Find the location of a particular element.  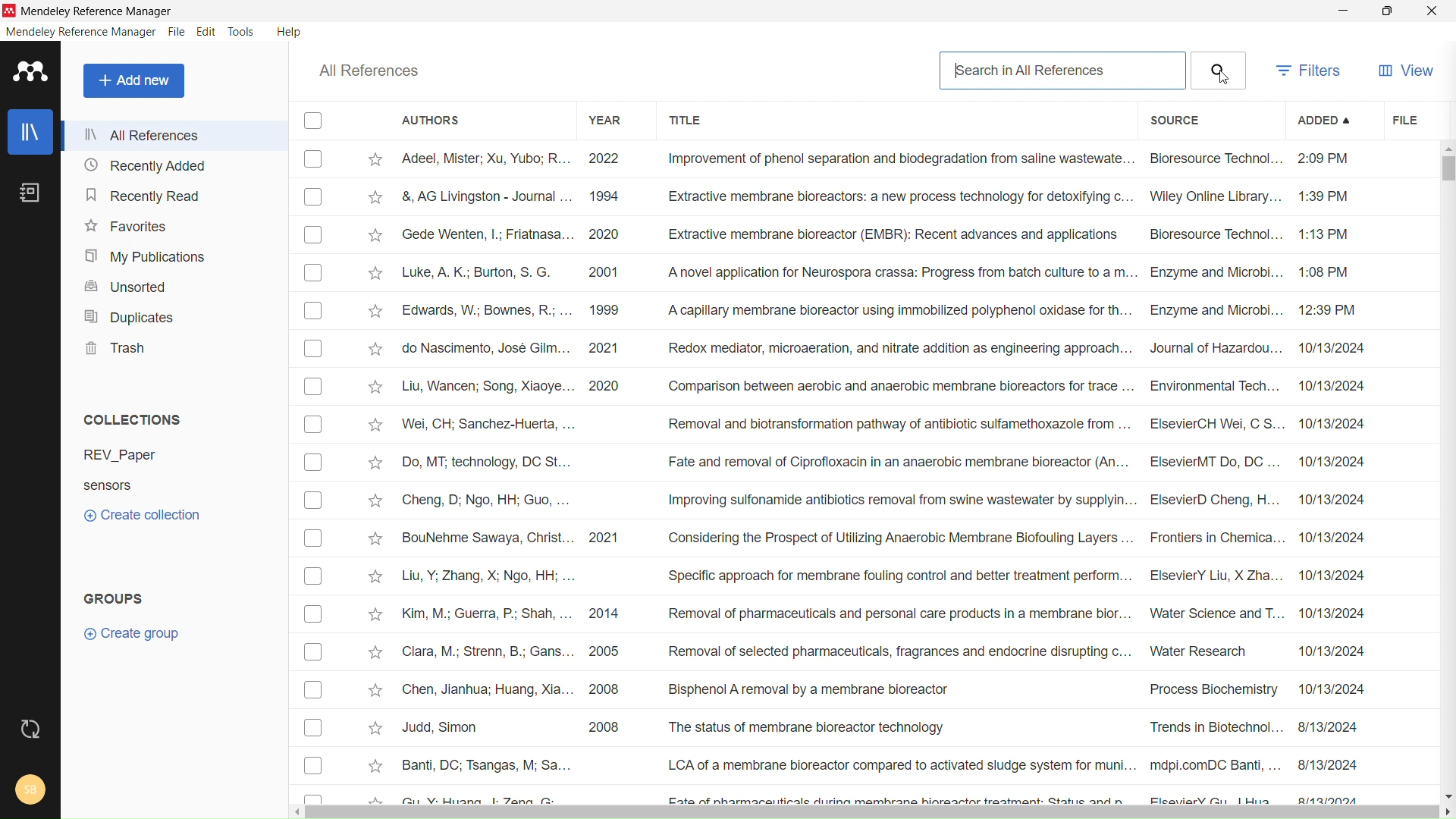

do Nascimento, Jose Giim... 2021 ‘Redox mediator, microaeration, and nitrate aadition as engineering approach... Journal of Hazaraou... 10/13/2024 is located at coordinates (892, 349).